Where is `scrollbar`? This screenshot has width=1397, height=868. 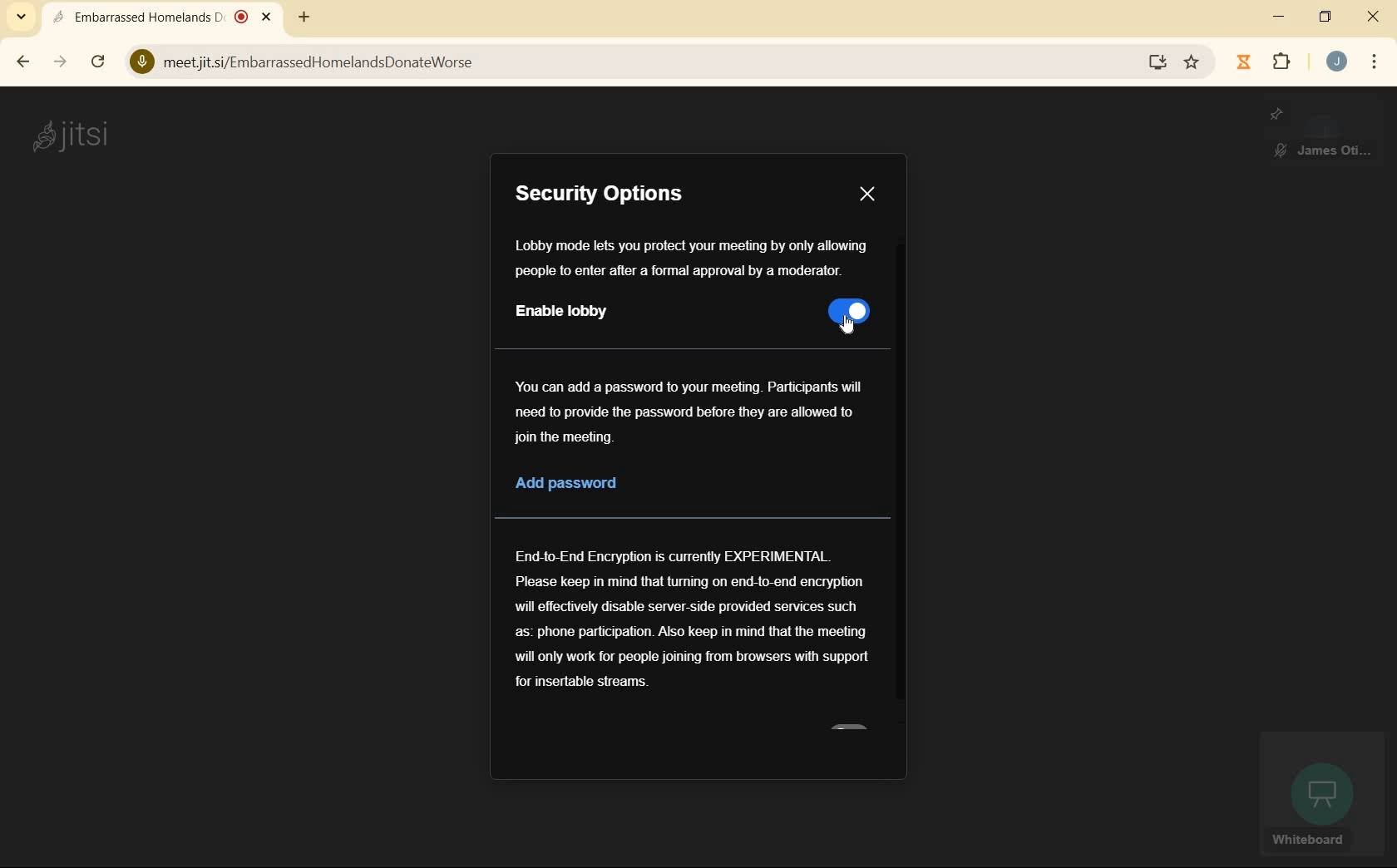 scrollbar is located at coordinates (900, 479).